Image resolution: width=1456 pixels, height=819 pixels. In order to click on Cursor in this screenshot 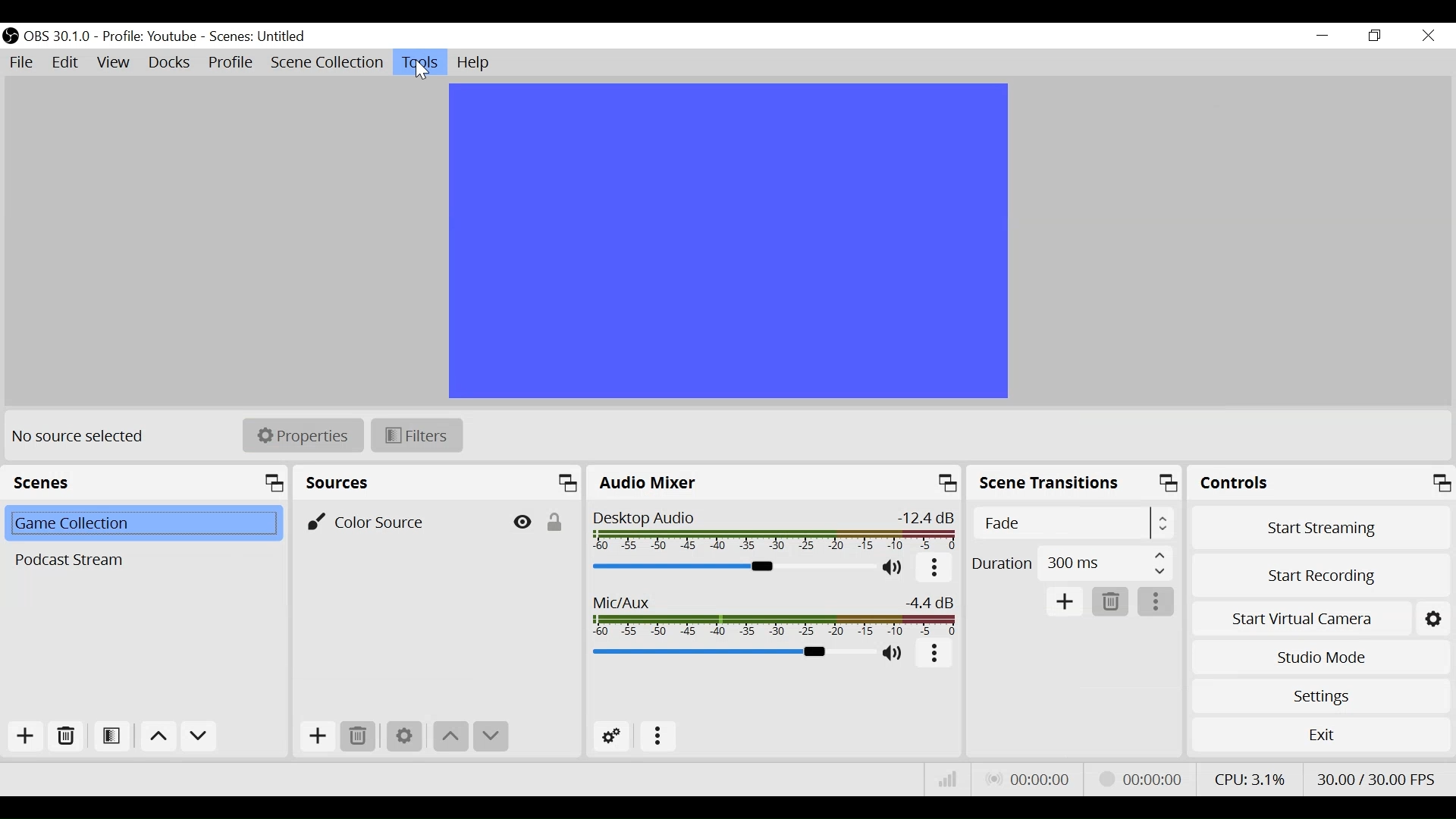, I will do `click(425, 71)`.